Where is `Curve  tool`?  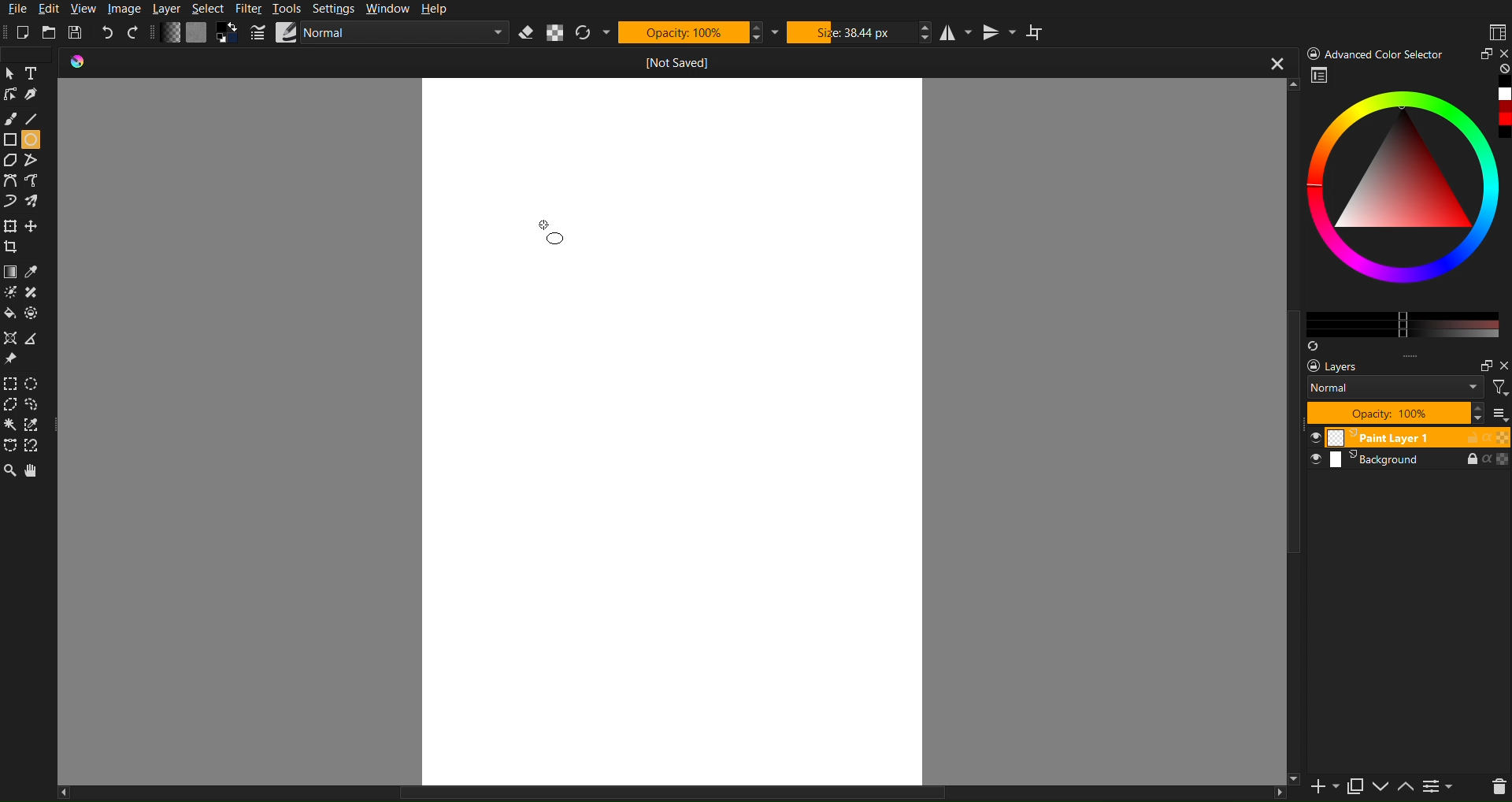 Curve  tool is located at coordinates (35, 182).